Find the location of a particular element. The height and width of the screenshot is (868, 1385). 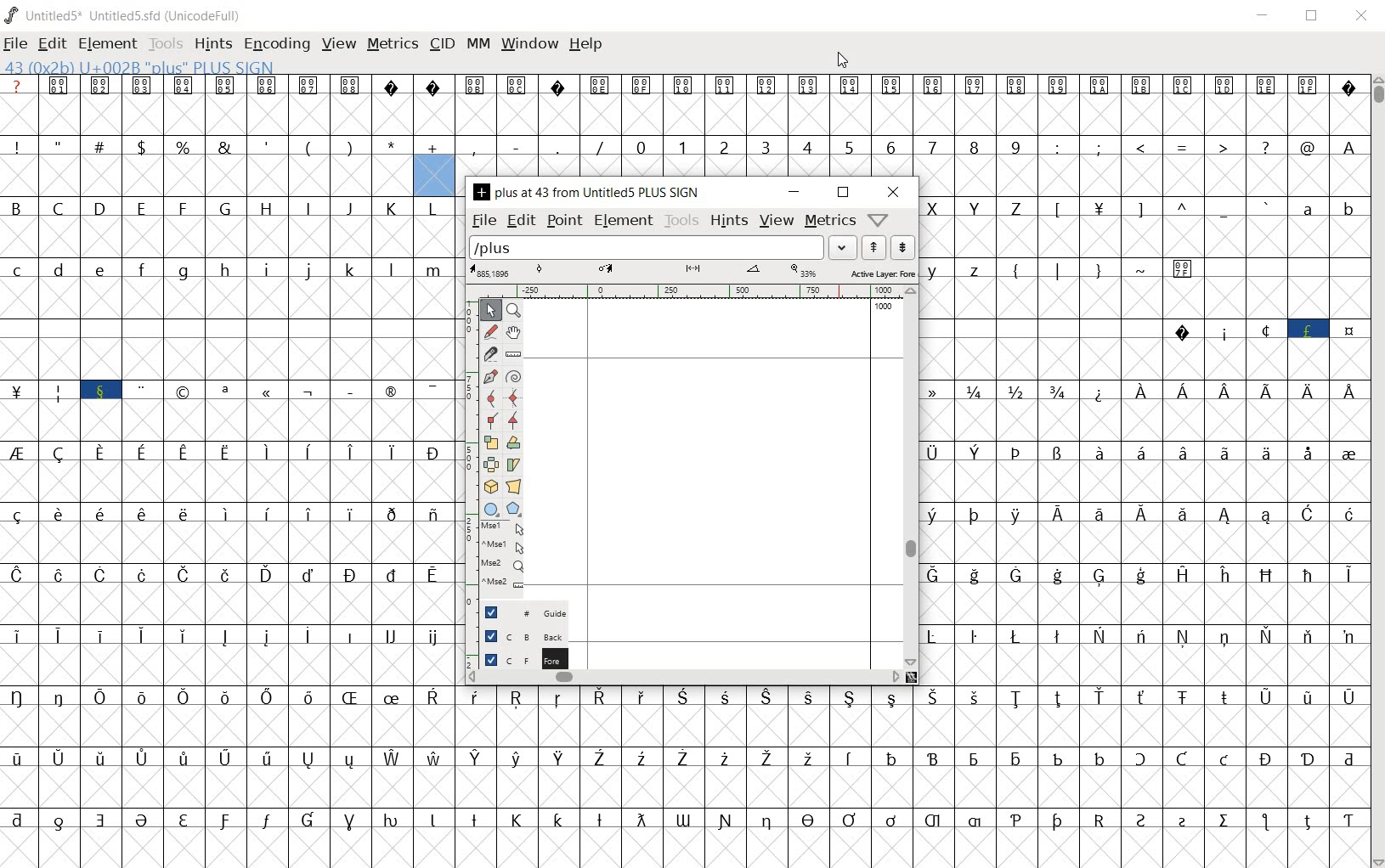

special characters is located at coordinates (1000, 471).